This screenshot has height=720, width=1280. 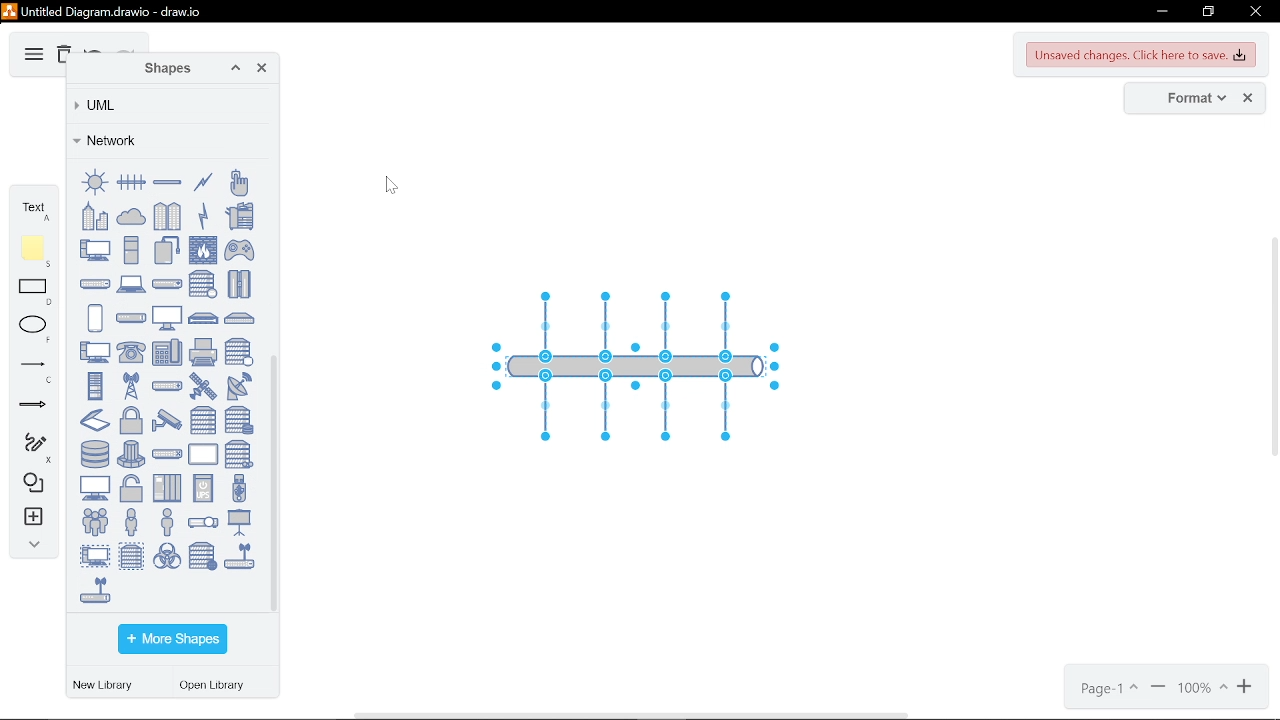 What do you see at coordinates (393, 186) in the screenshot?
I see `Cursor` at bounding box center [393, 186].